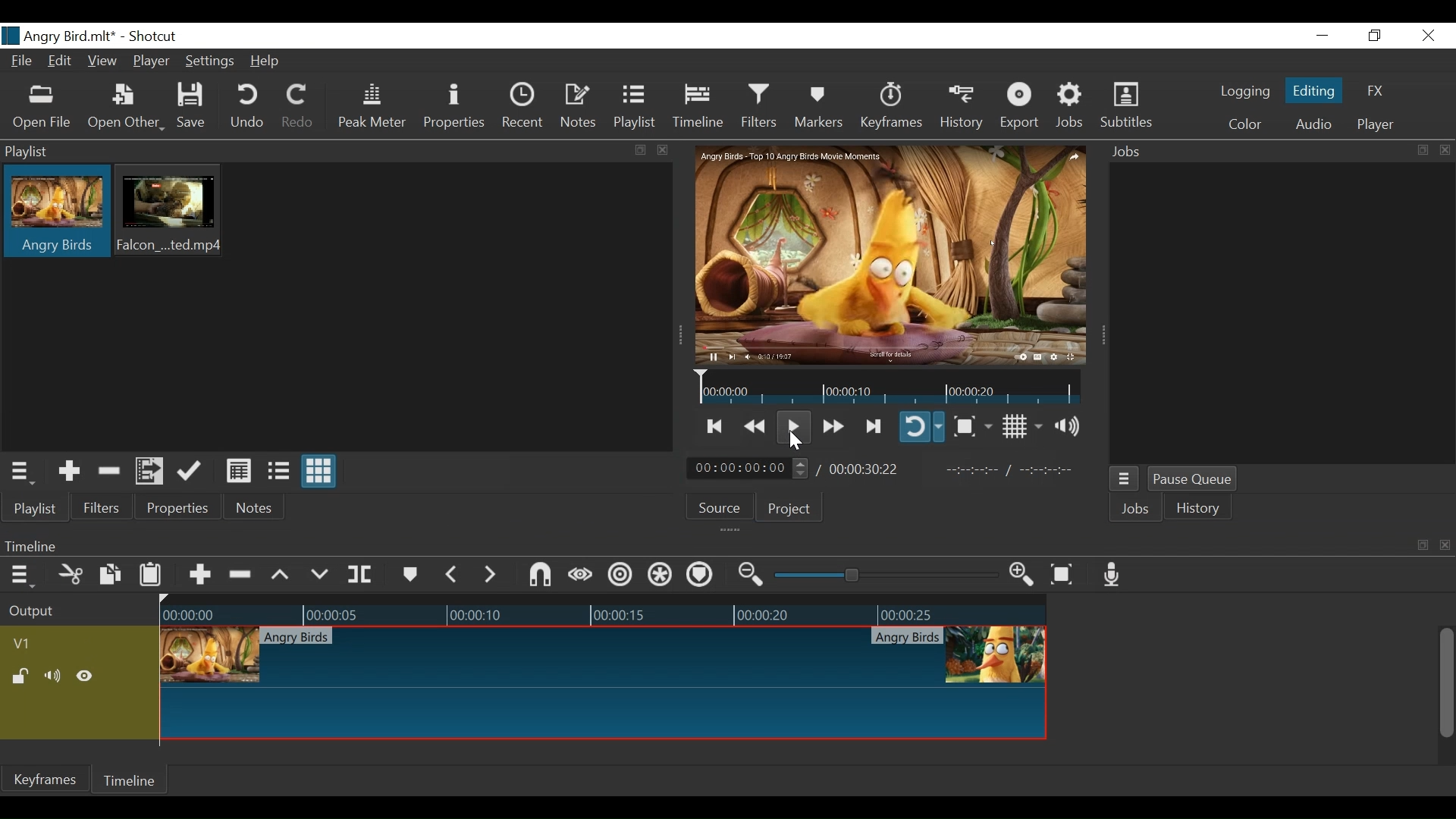 Image resolution: width=1456 pixels, height=819 pixels. I want to click on Snap, so click(538, 576).